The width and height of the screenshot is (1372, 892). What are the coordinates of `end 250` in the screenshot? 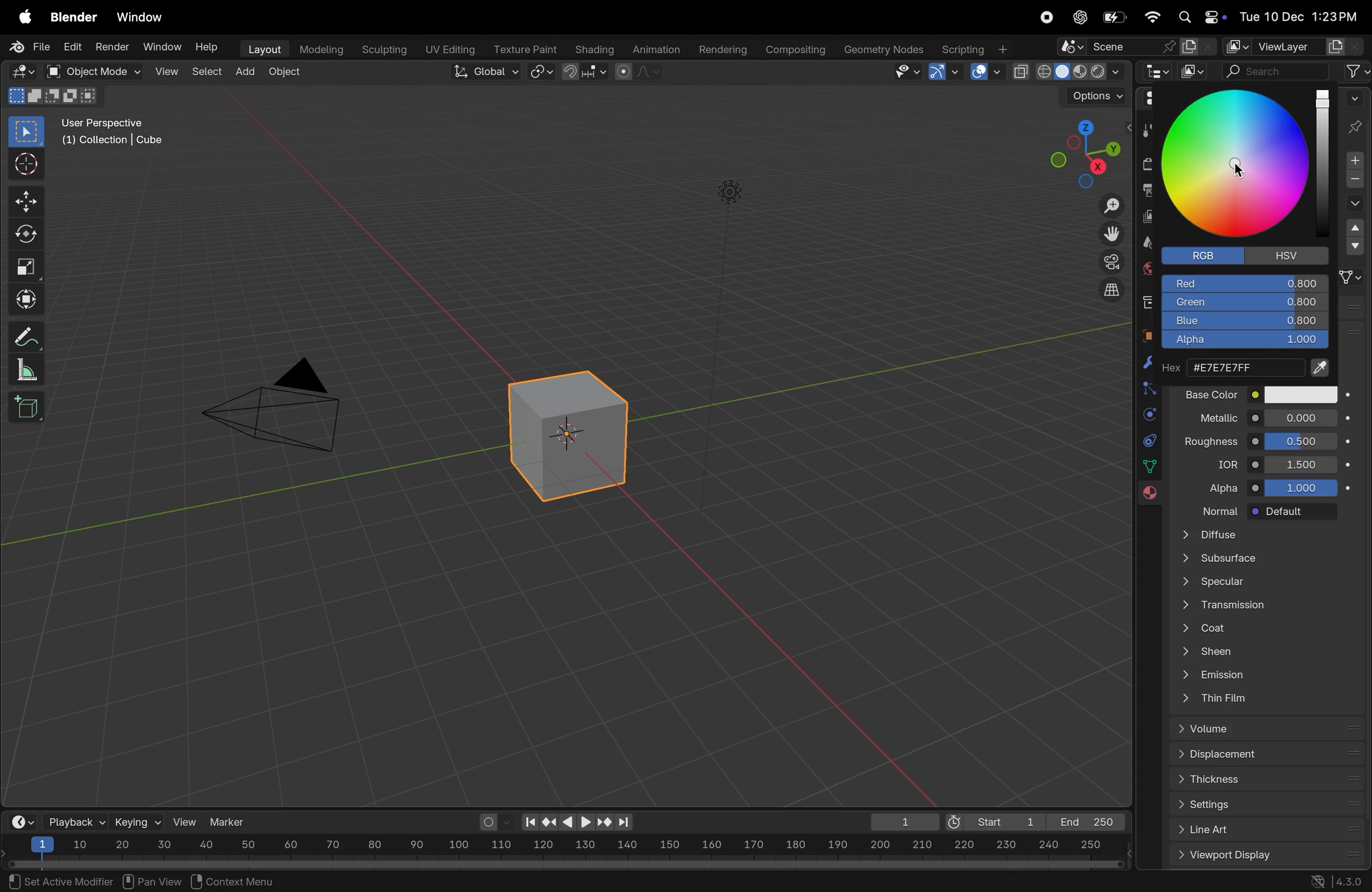 It's located at (1084, 822).